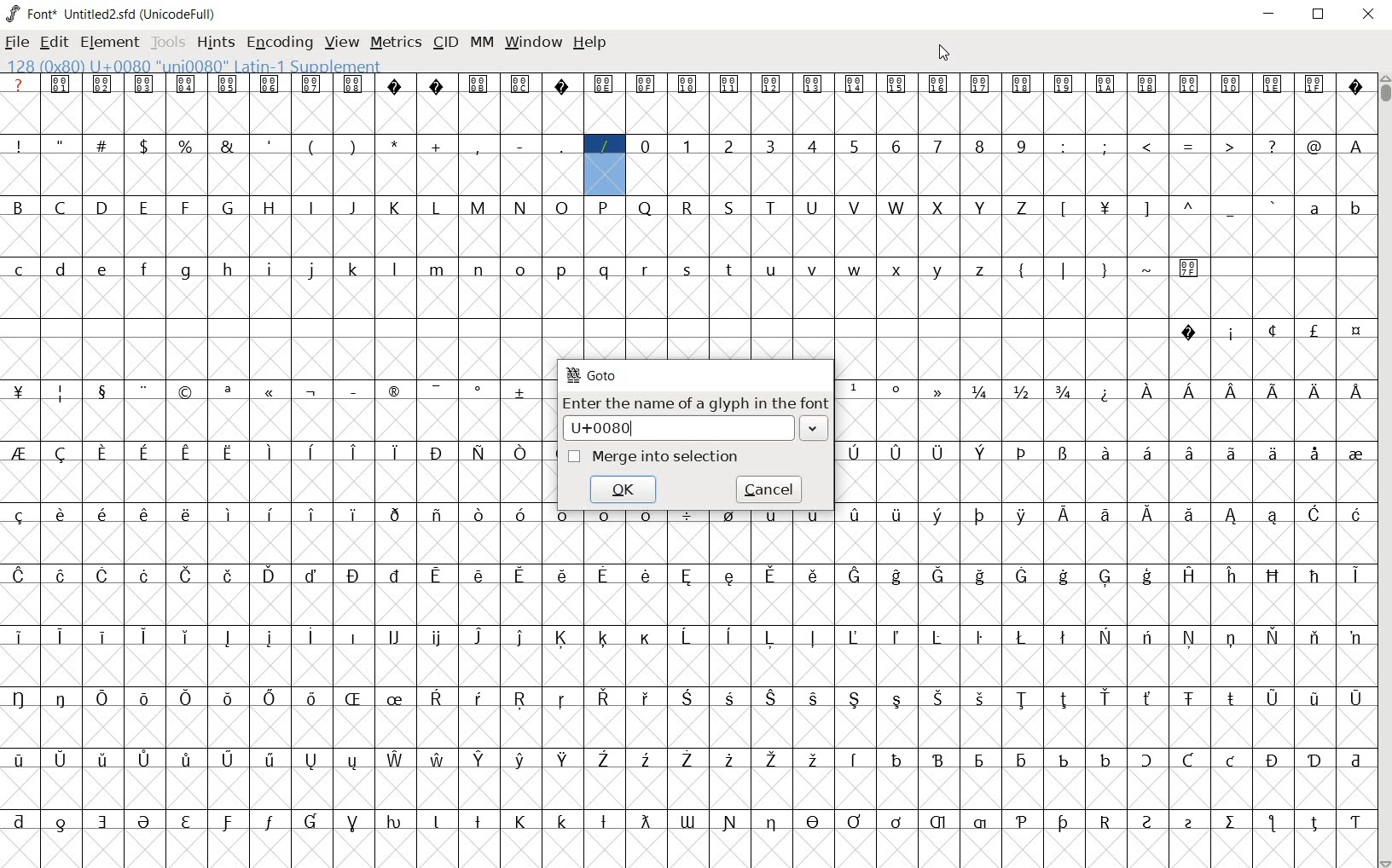 The width and height of the screenshot is (1392, 868). What do you see at coordinates (1232, 453) in the screenshot?
I see `glyph` at bounding box center [1232, 453].